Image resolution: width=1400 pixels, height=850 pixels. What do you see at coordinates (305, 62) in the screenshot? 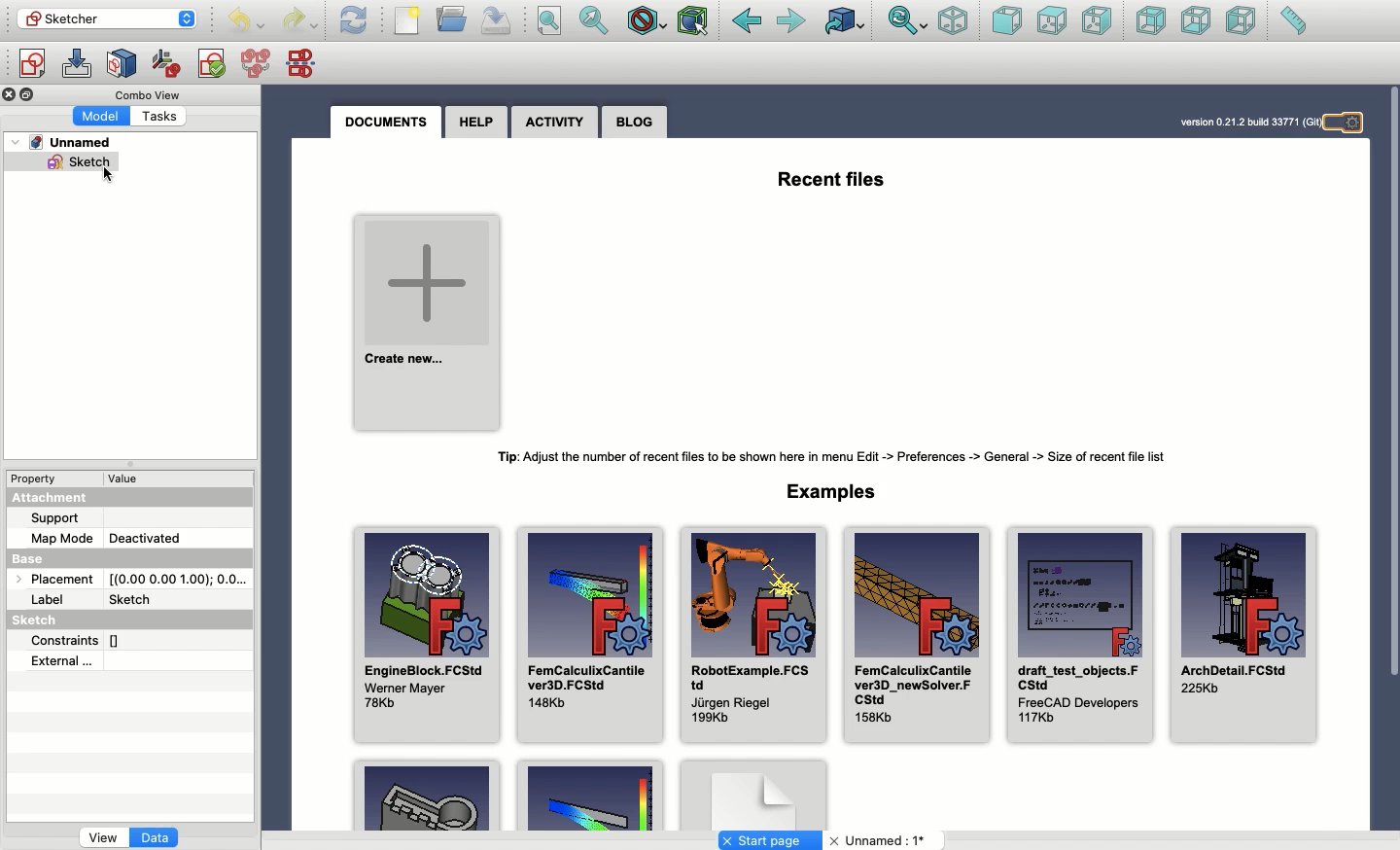
I see `Mirror sketch` at bounding box center [305, 62].